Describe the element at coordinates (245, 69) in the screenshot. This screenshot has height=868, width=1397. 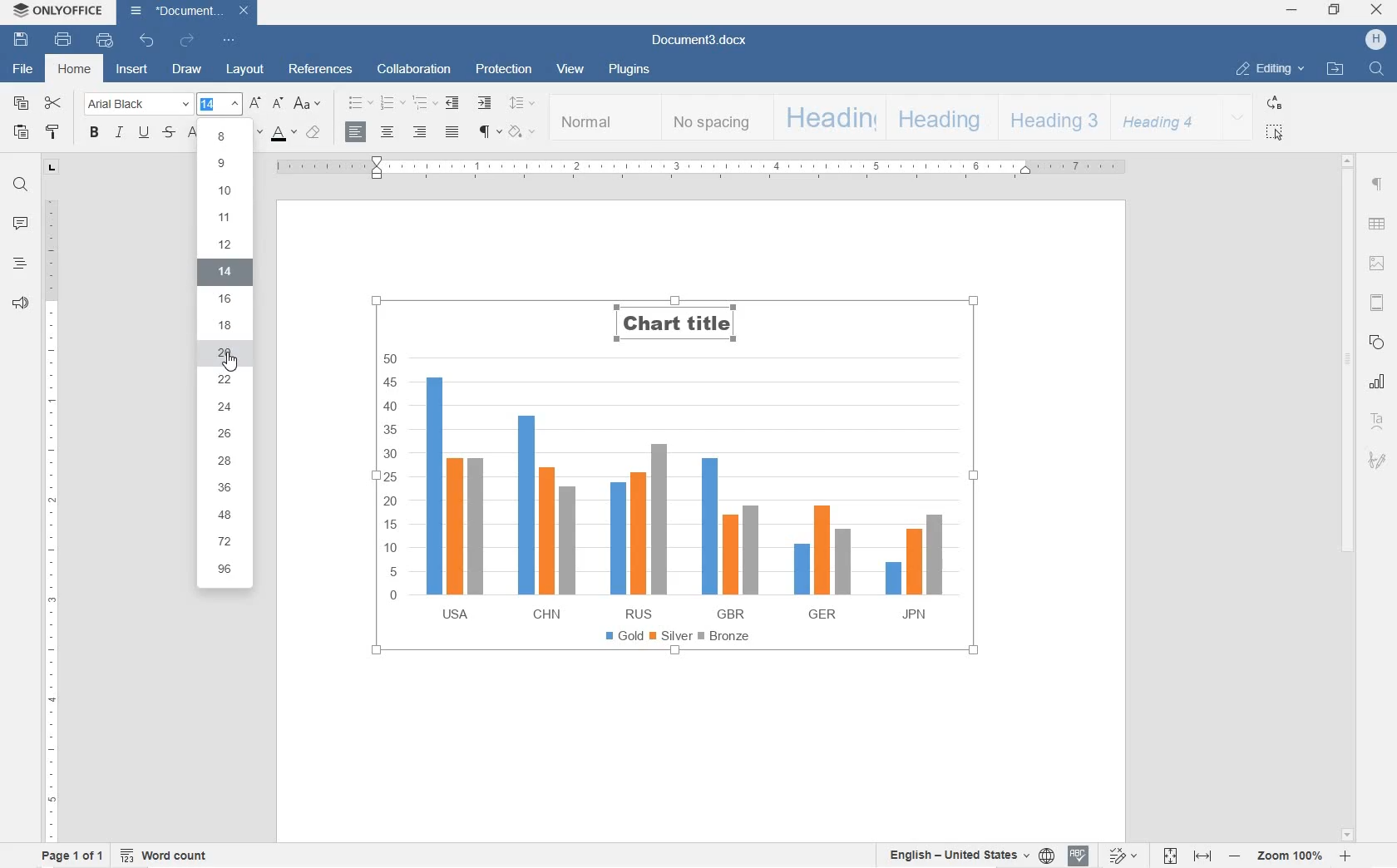
I see `LAYOUT` at that location.